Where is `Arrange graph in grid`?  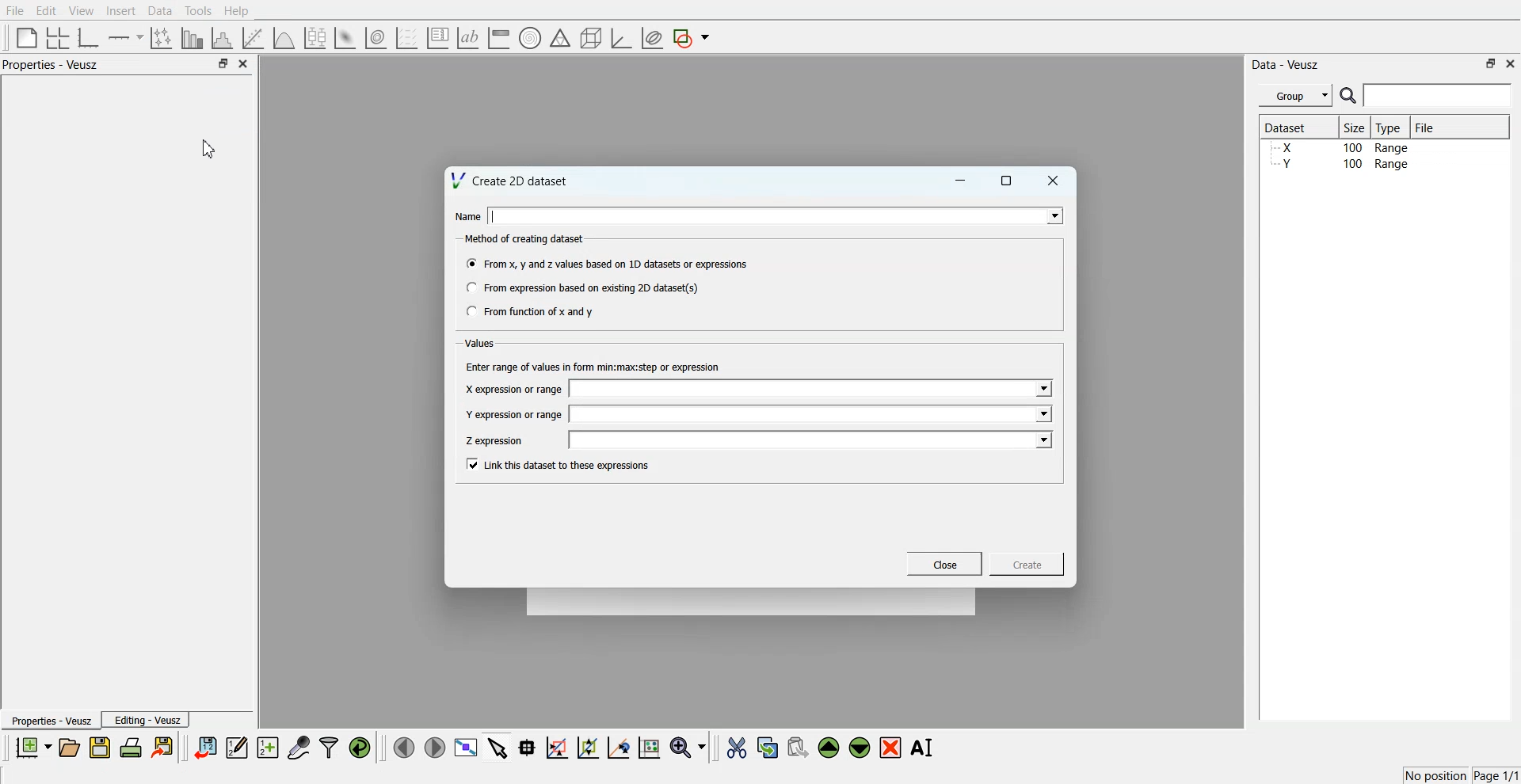 Arrange graph in grid is located at coordinates (58, 39).